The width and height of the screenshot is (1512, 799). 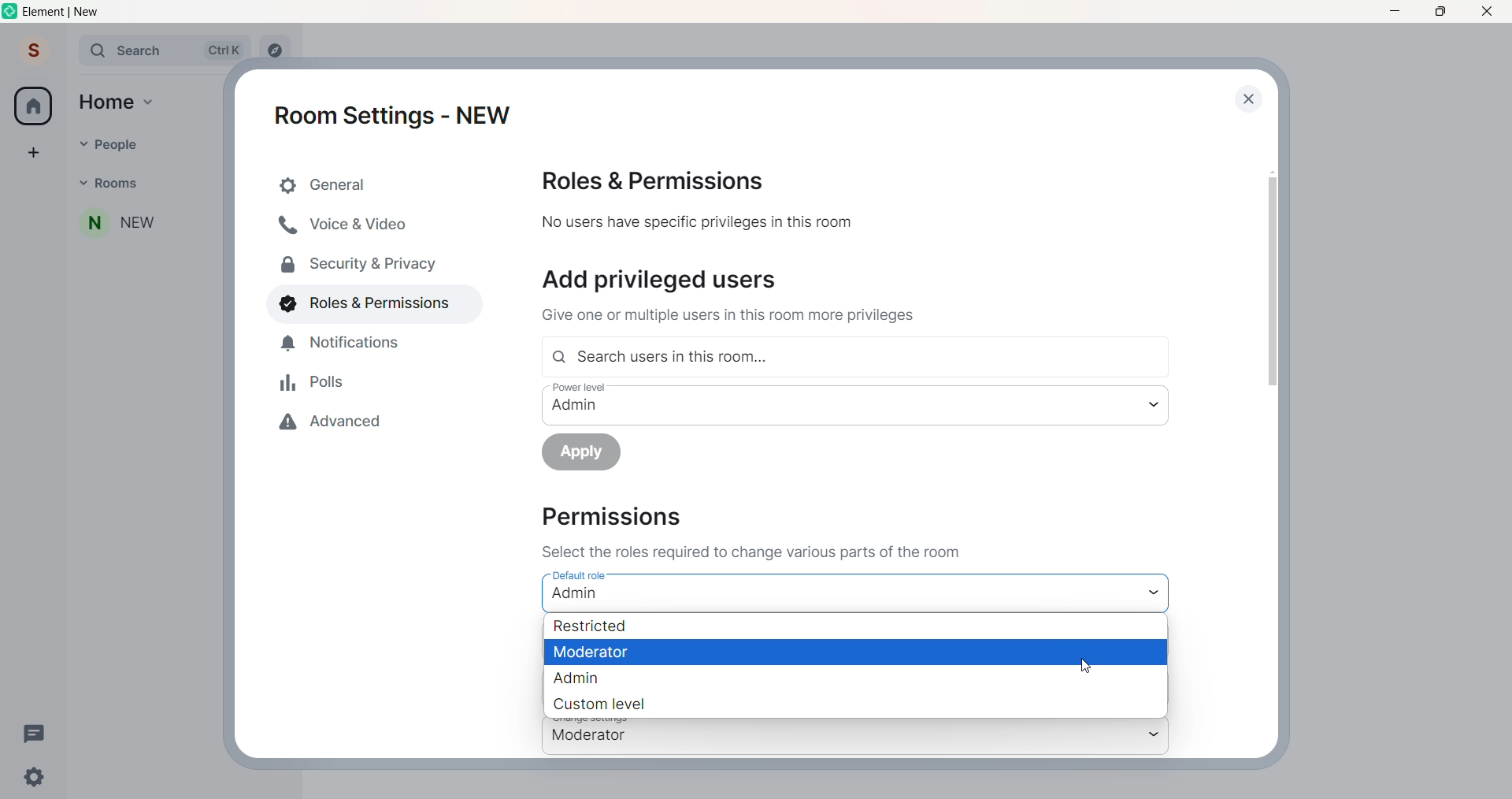 I want to click on change setting dropdown, so click(x=1156, y=738).